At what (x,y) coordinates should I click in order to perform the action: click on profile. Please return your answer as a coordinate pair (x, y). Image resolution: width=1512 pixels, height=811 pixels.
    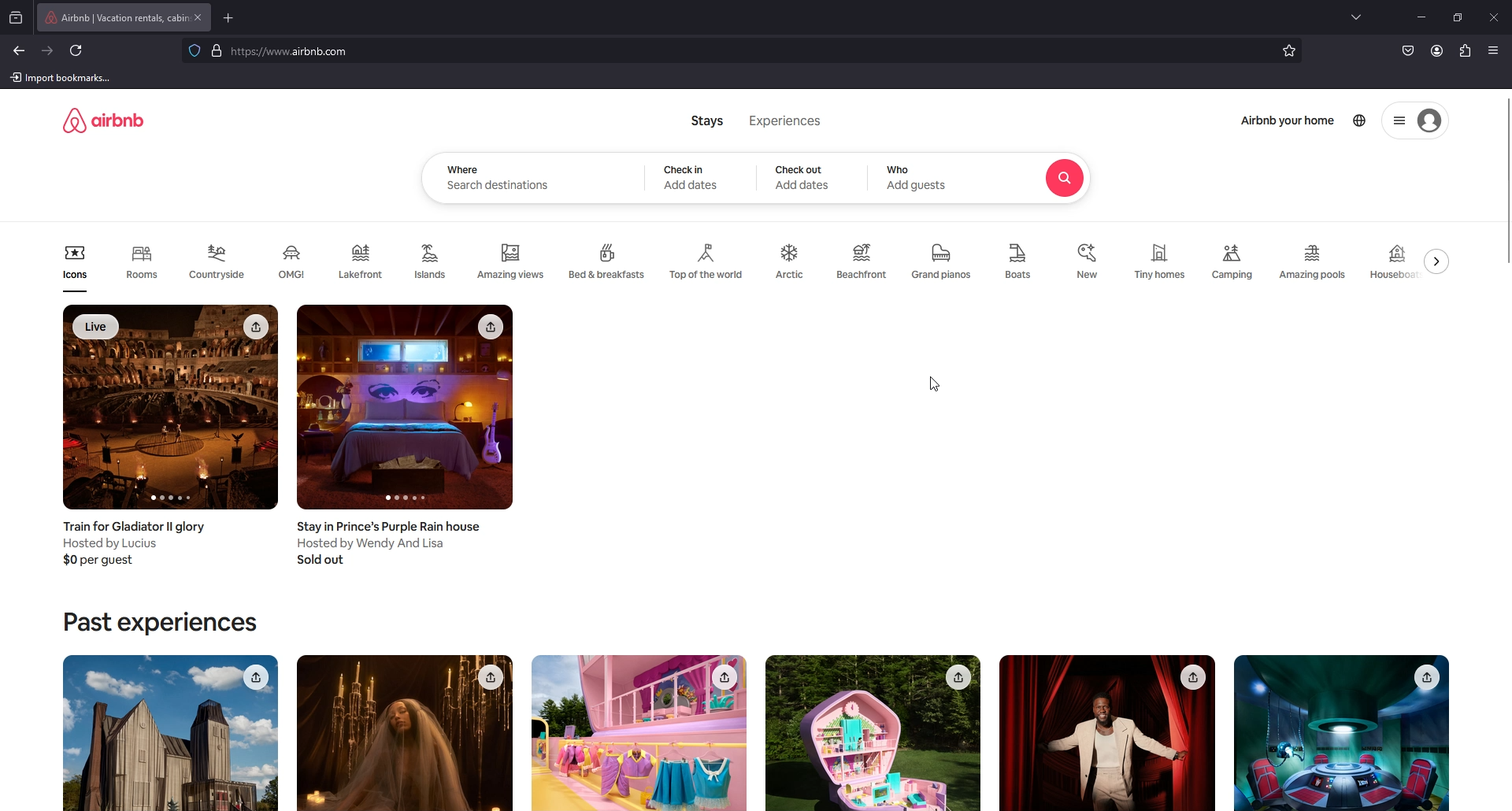
    Looking at the image, I should click on (1436, 51).